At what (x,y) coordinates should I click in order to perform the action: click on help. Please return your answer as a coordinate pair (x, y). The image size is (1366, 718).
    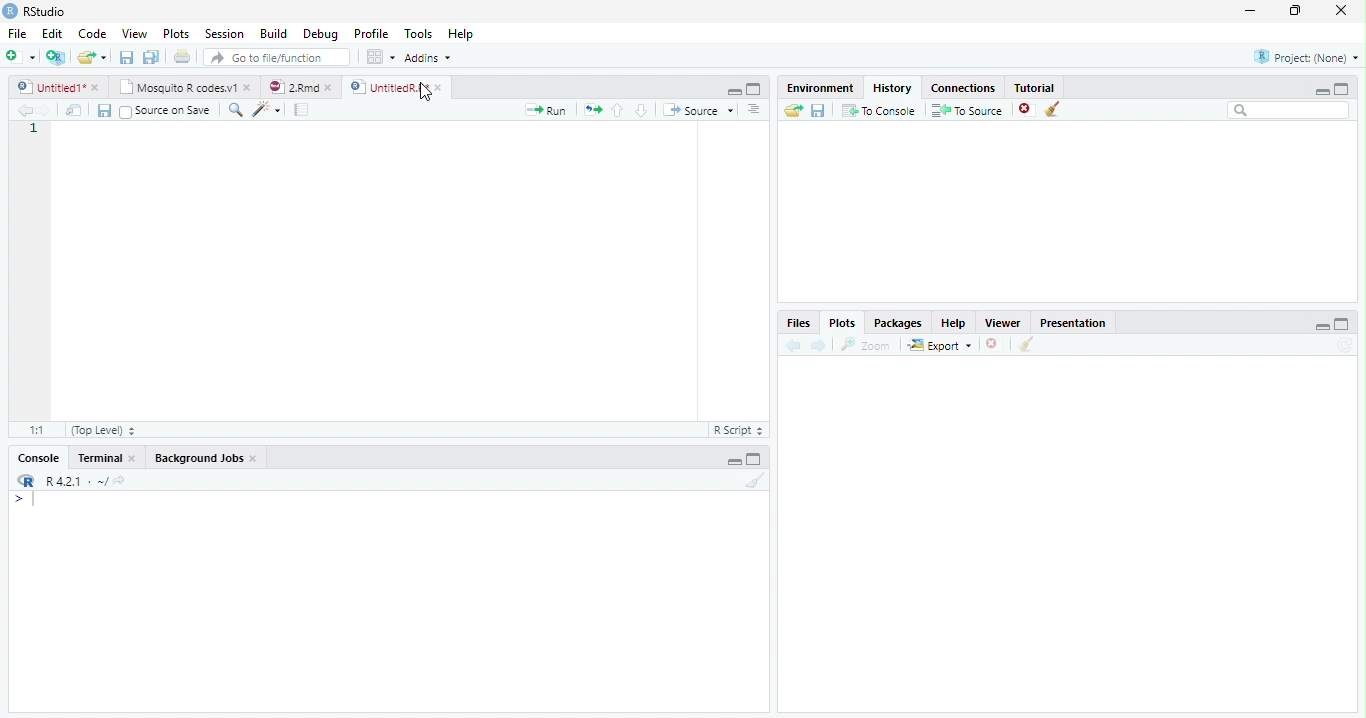
    Looking at the image, I should click on (954, 323).